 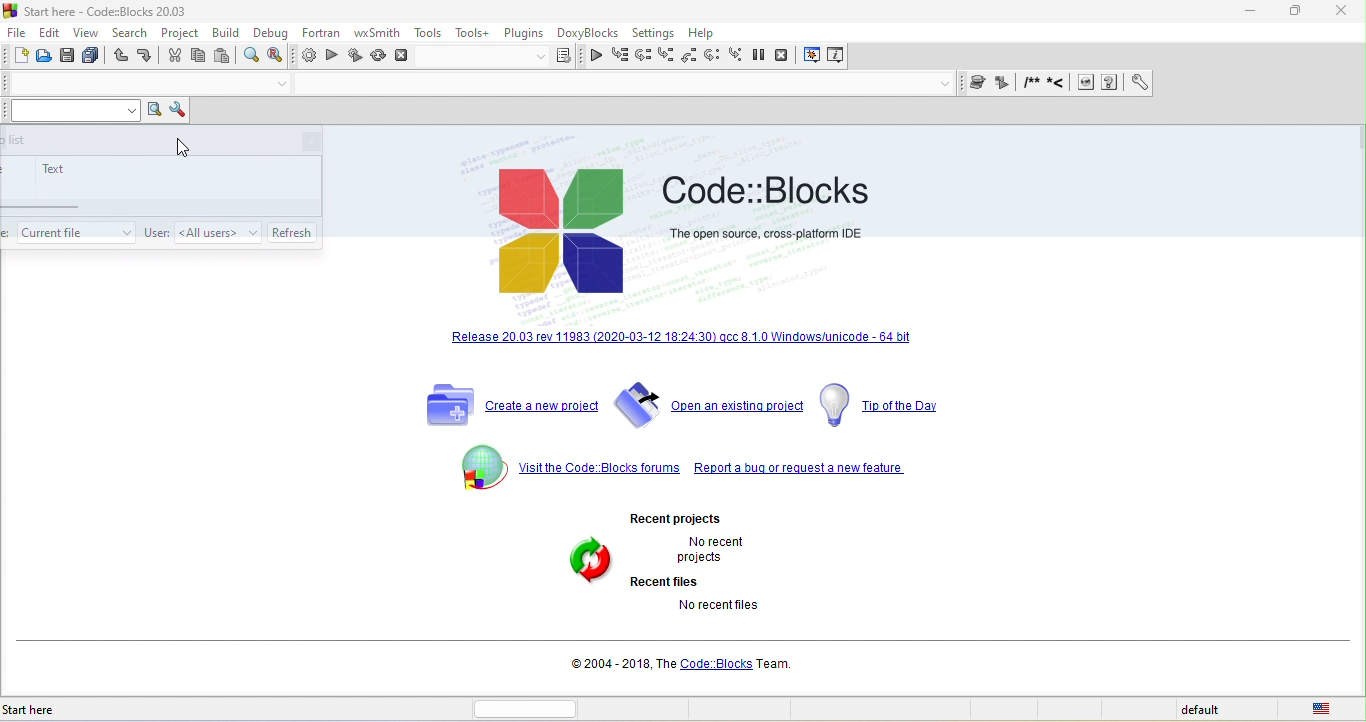 What do you see at coordinates (620, 56) in the screenshot?
I see `run to cursor` at bounding box center [620, 56].